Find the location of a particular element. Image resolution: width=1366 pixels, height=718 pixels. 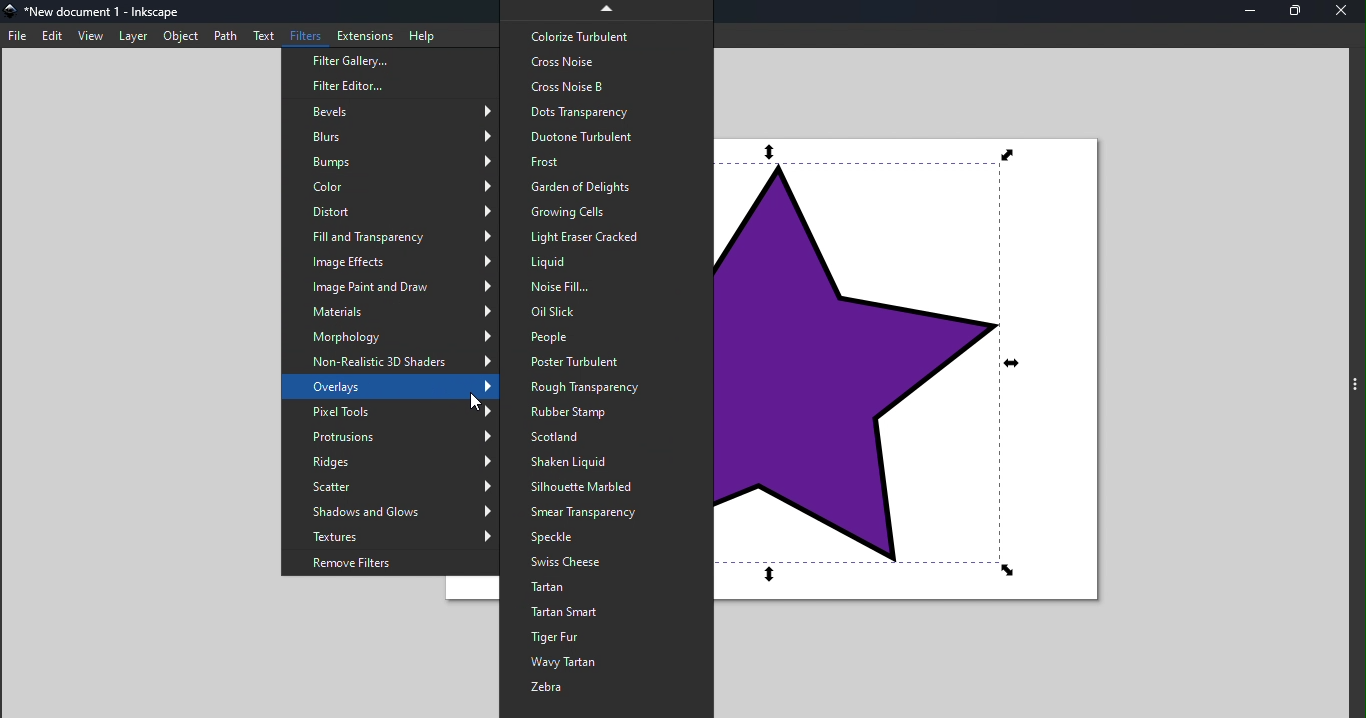

Textures is located at coordinates (394, 536).